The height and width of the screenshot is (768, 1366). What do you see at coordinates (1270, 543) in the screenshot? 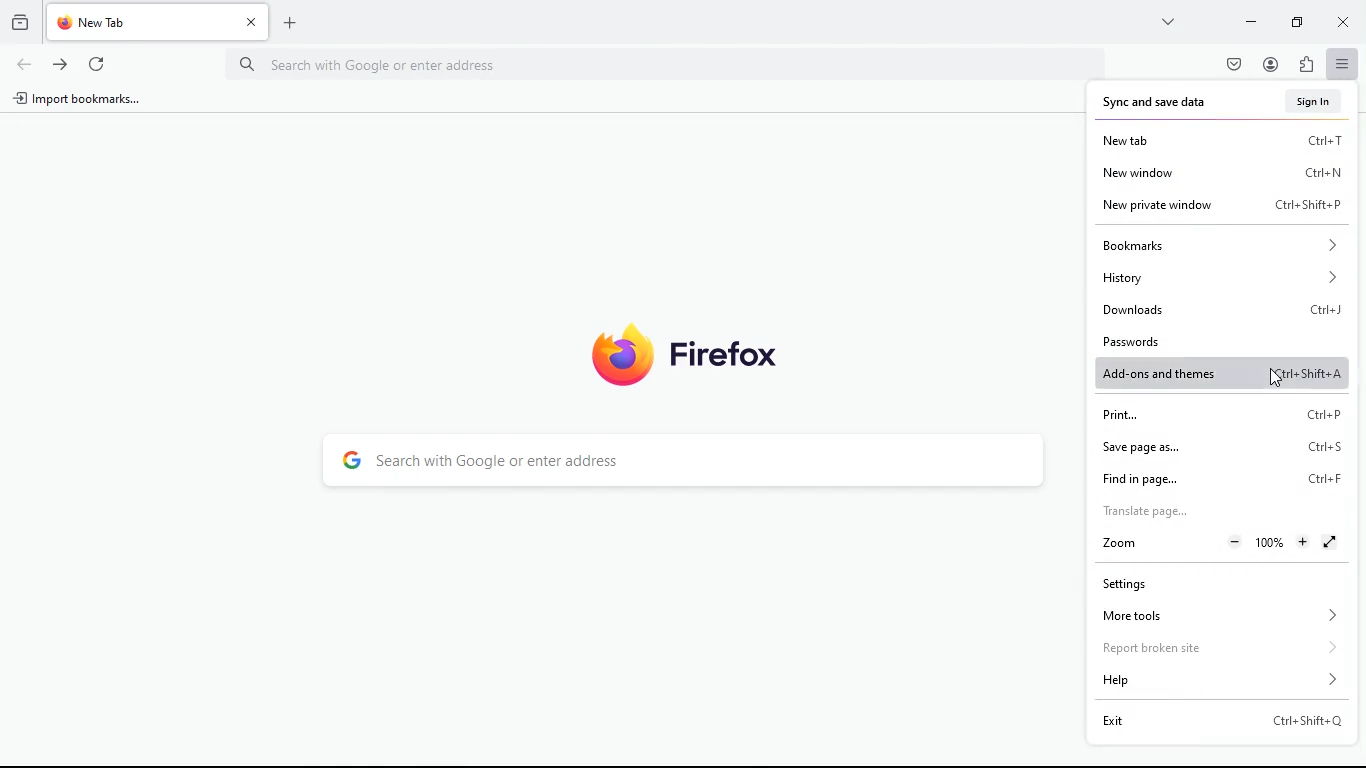
I see `100%` at bounding box center [1270, 543].